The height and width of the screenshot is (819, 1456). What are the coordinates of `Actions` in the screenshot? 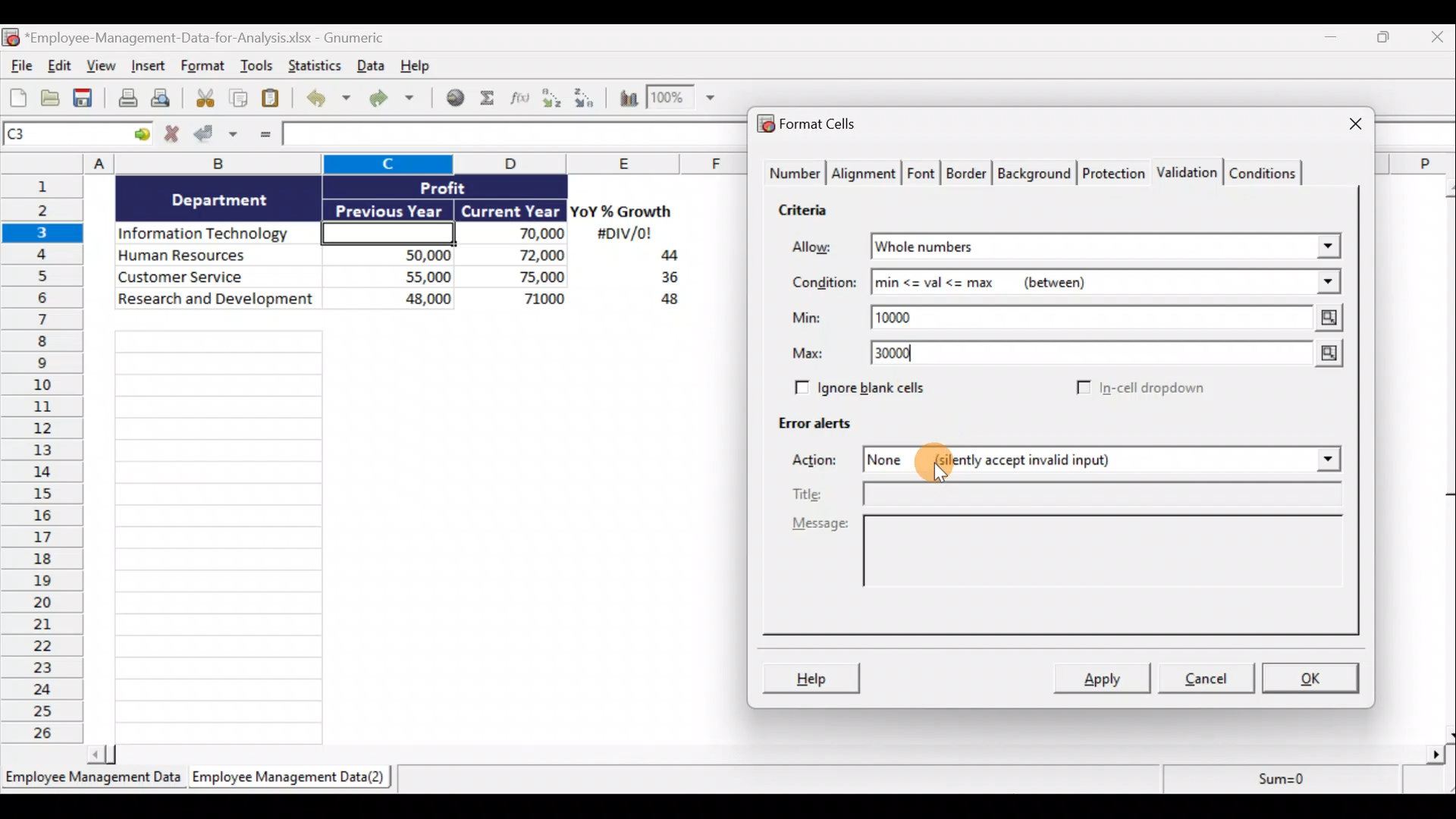 It's located at (823, 462).